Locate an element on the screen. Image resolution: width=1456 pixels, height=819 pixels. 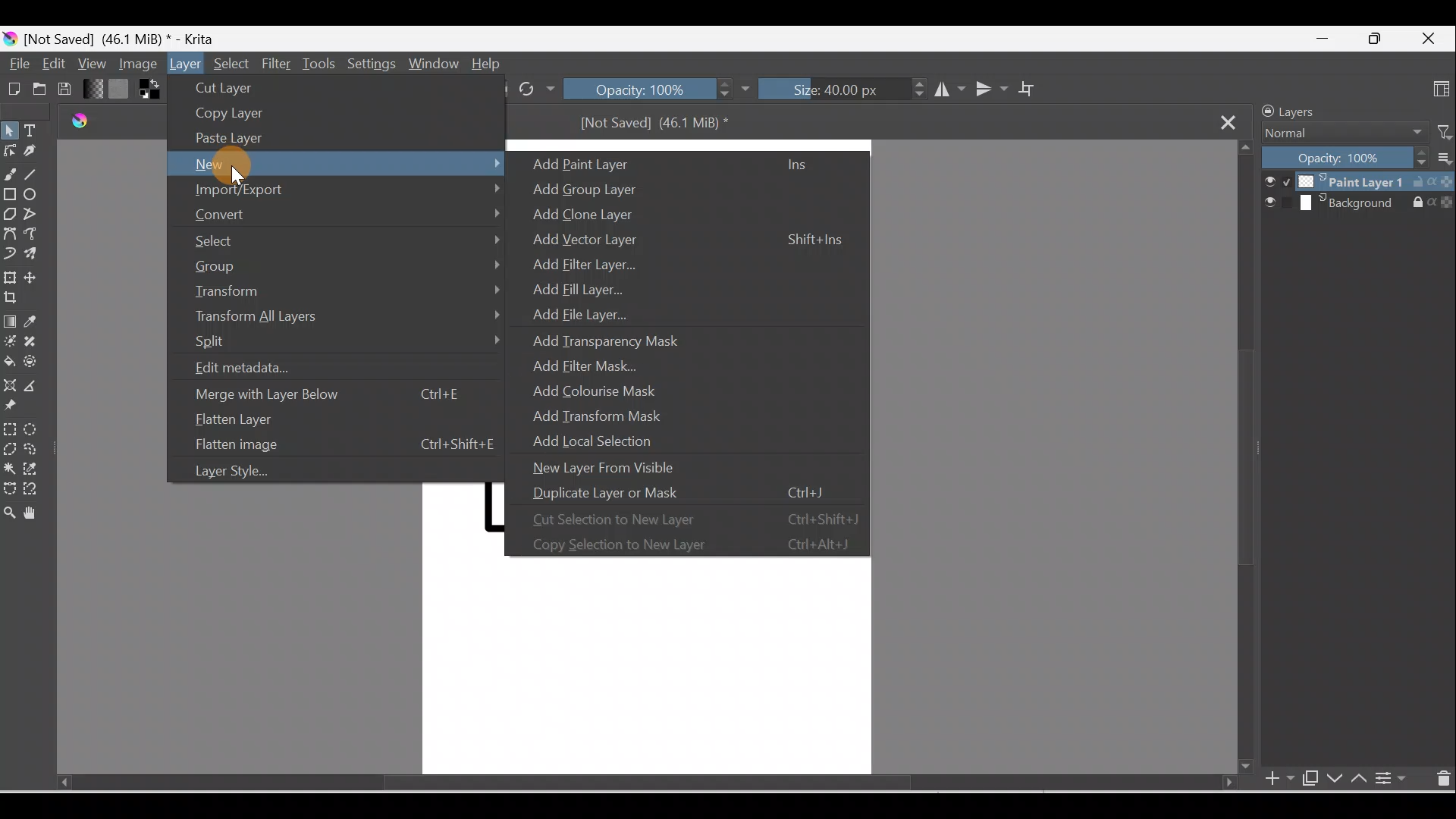
Normal Blending mode is located at coordinates (1337, 133).